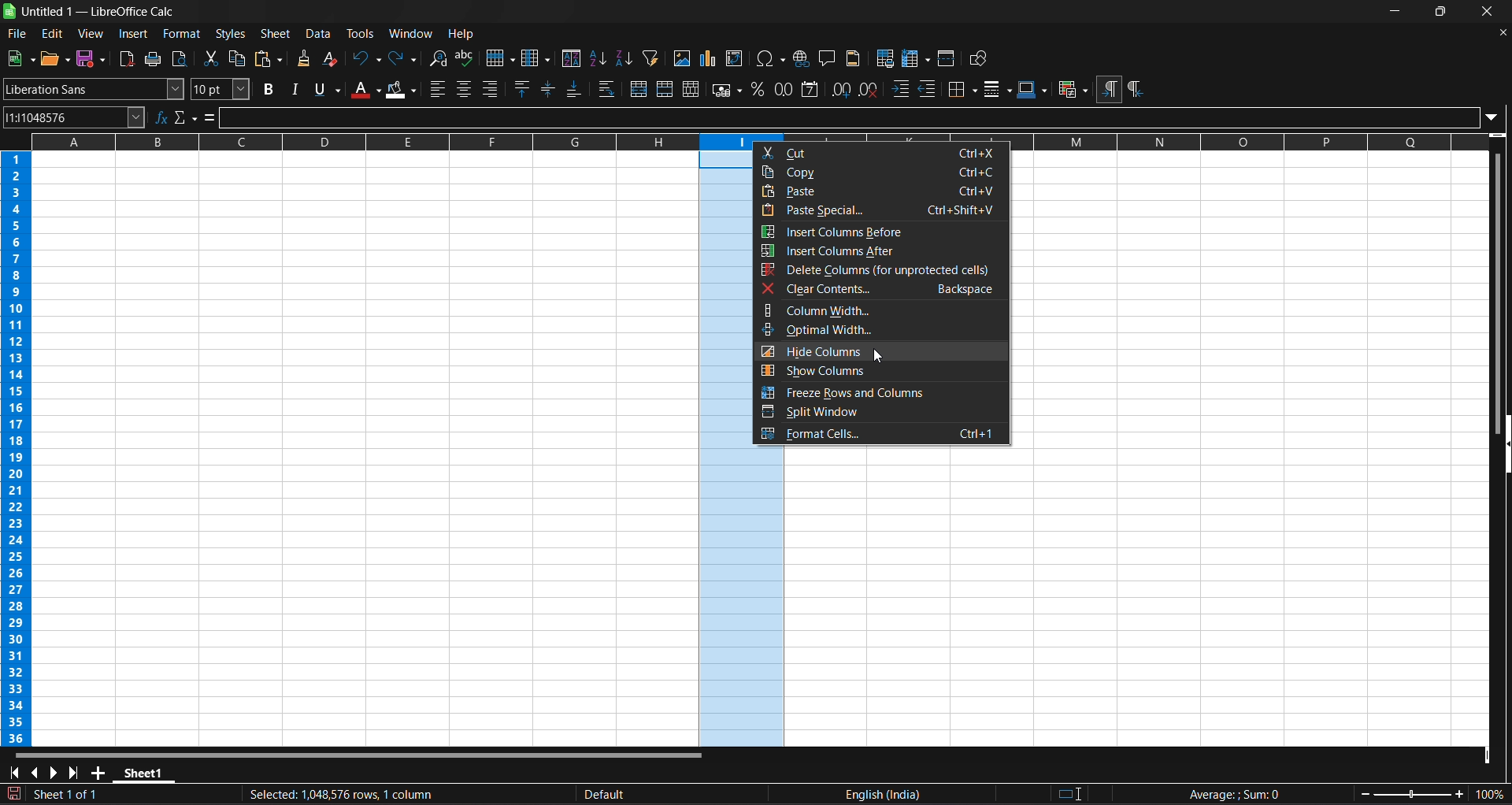  What do you see at coordinates (721, 440) in the screenshot?
I see `selected cells` at bounding box center [721, 440].